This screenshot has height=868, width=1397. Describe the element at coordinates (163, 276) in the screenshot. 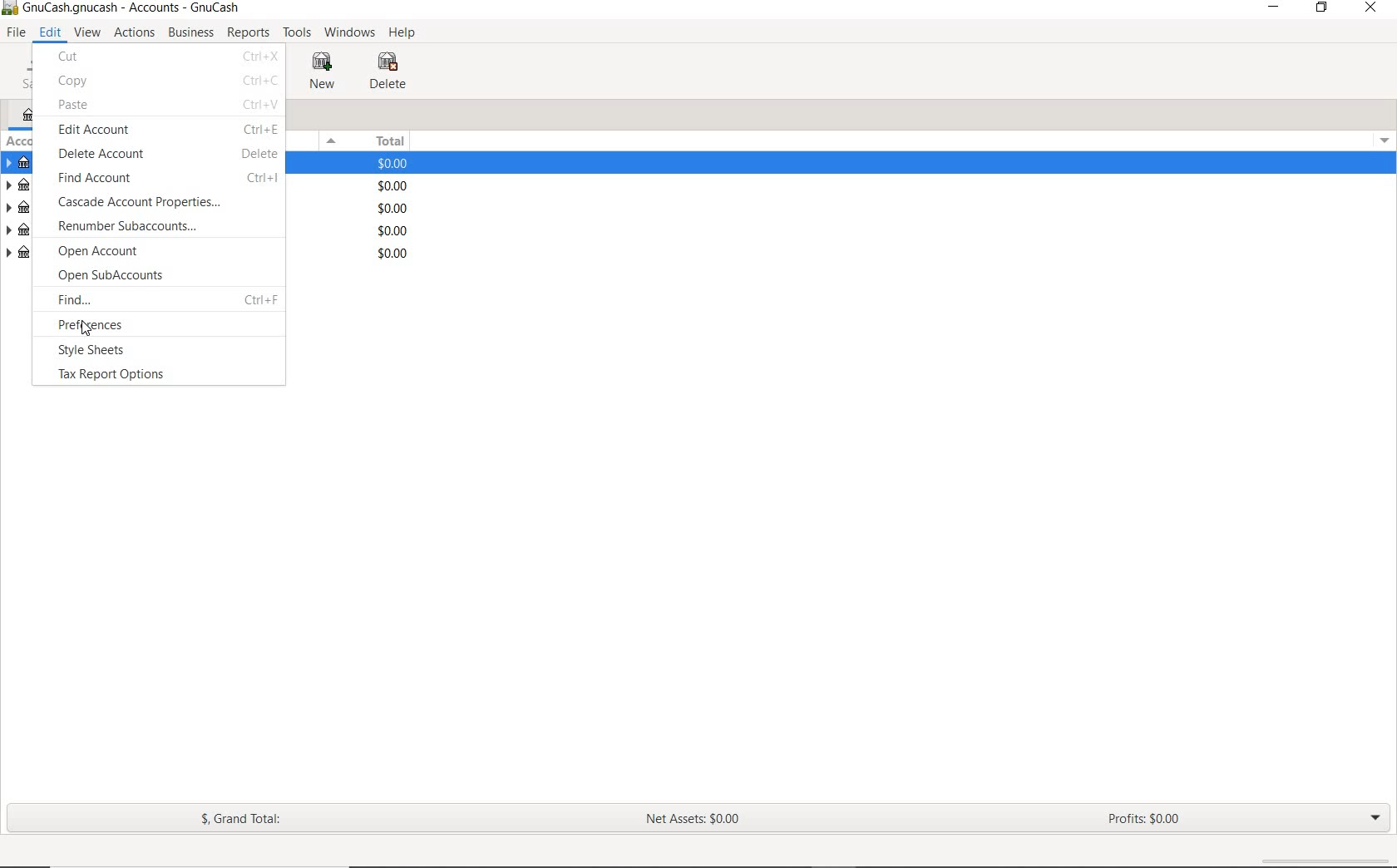

I see `OPEN SUBACCOUNTS` at that location.